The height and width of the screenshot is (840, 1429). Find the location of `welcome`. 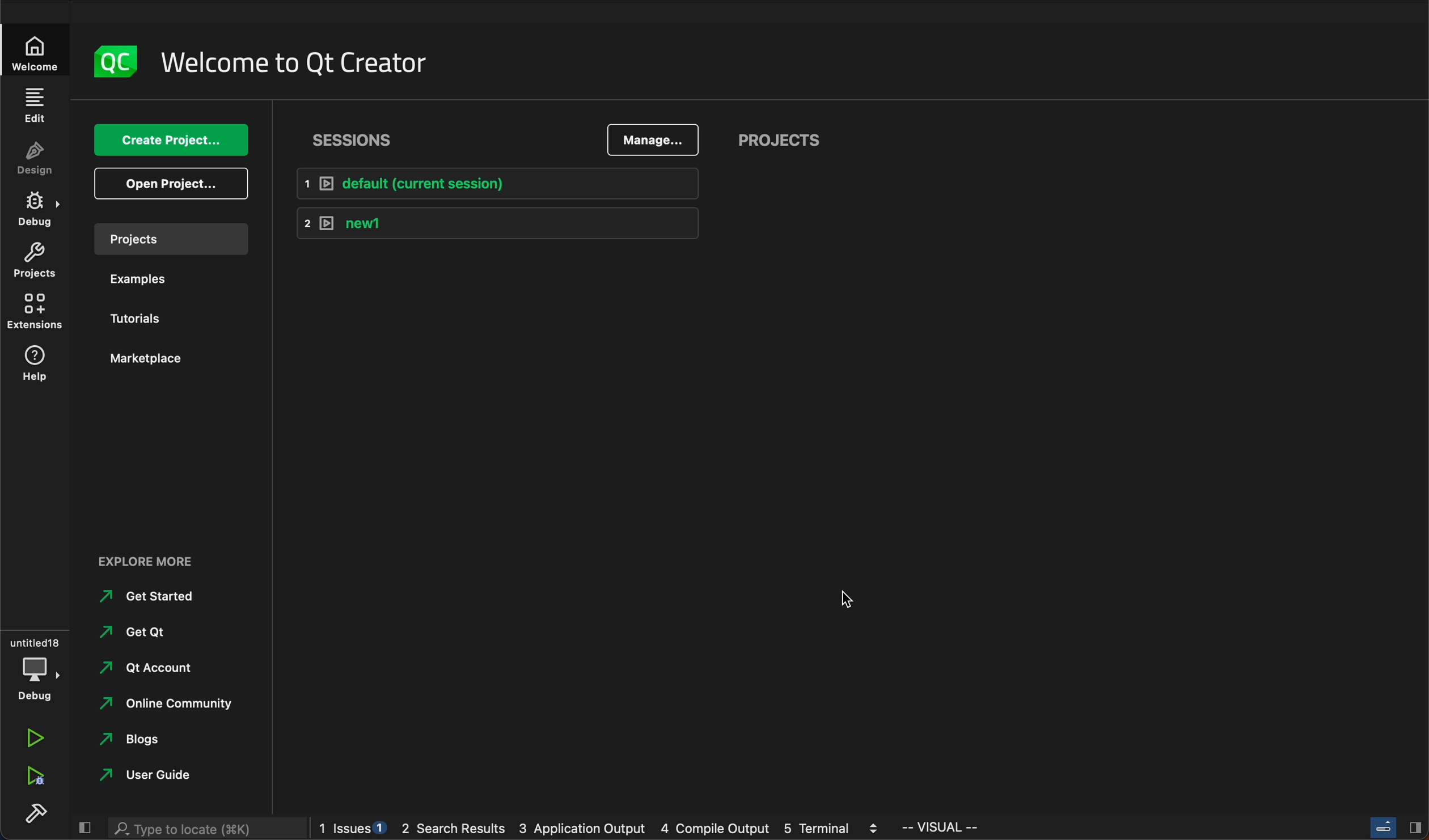

welcome is located at coordinates (31, 54).